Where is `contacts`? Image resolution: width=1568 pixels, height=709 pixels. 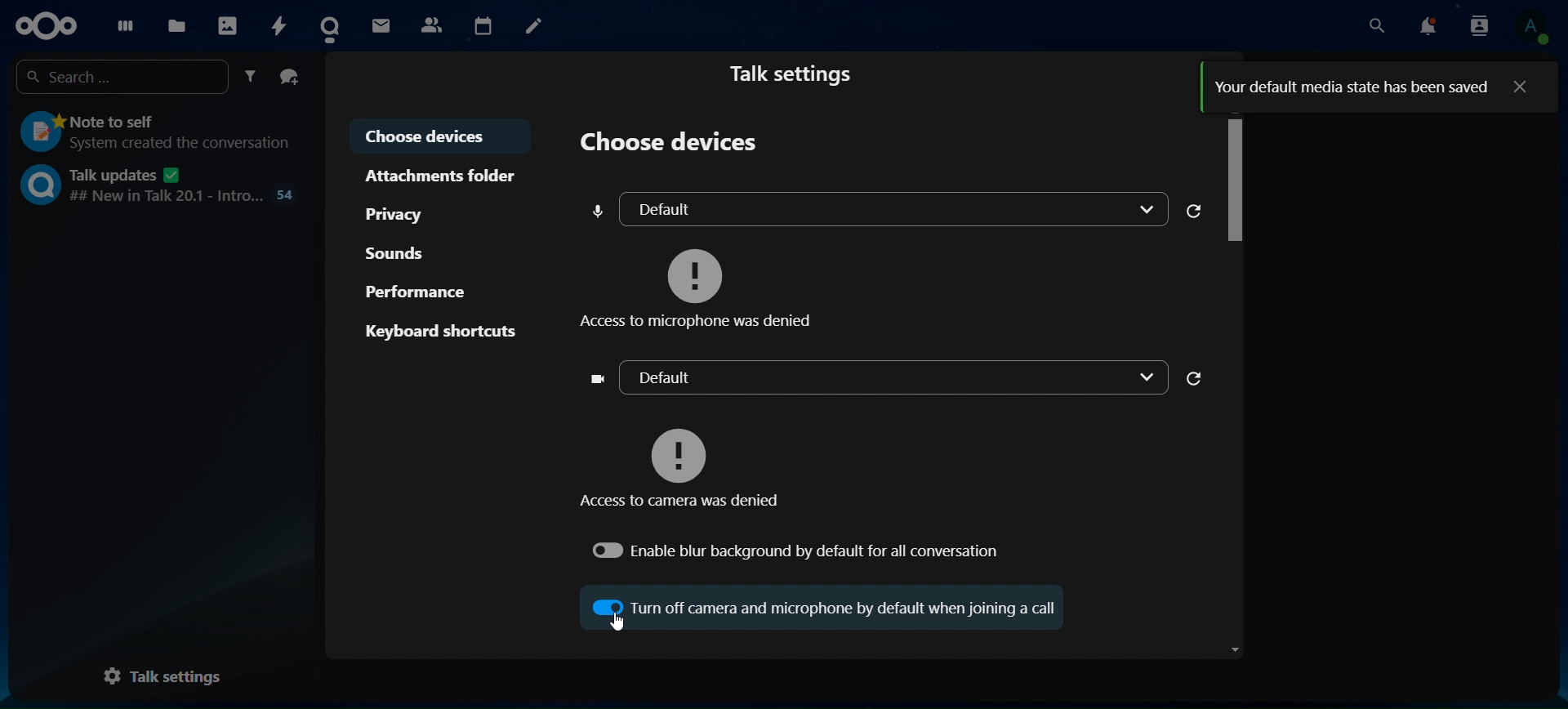
contacts is located at coordinates (432, 24).